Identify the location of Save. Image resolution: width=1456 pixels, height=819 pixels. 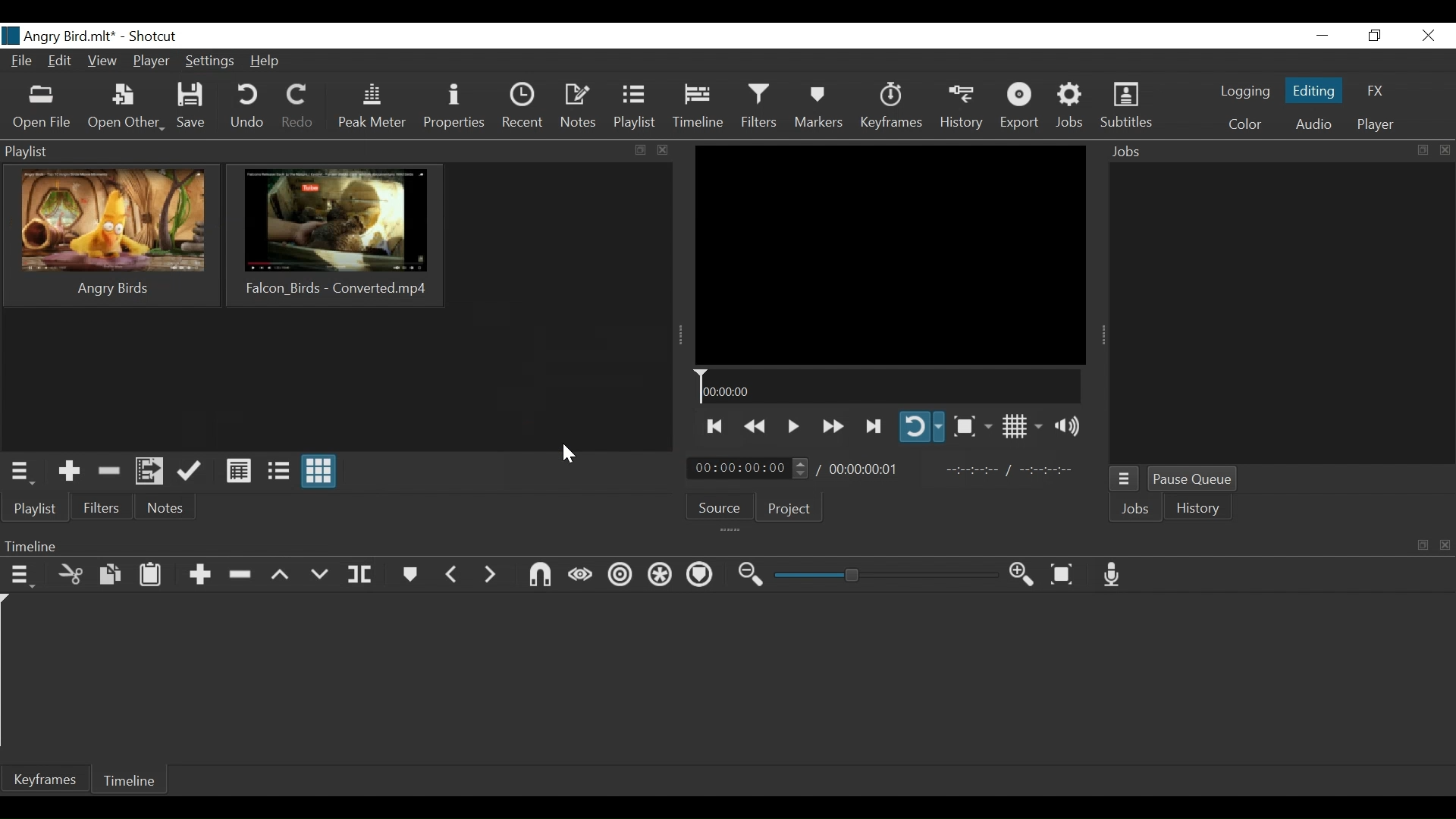
(193, 108).